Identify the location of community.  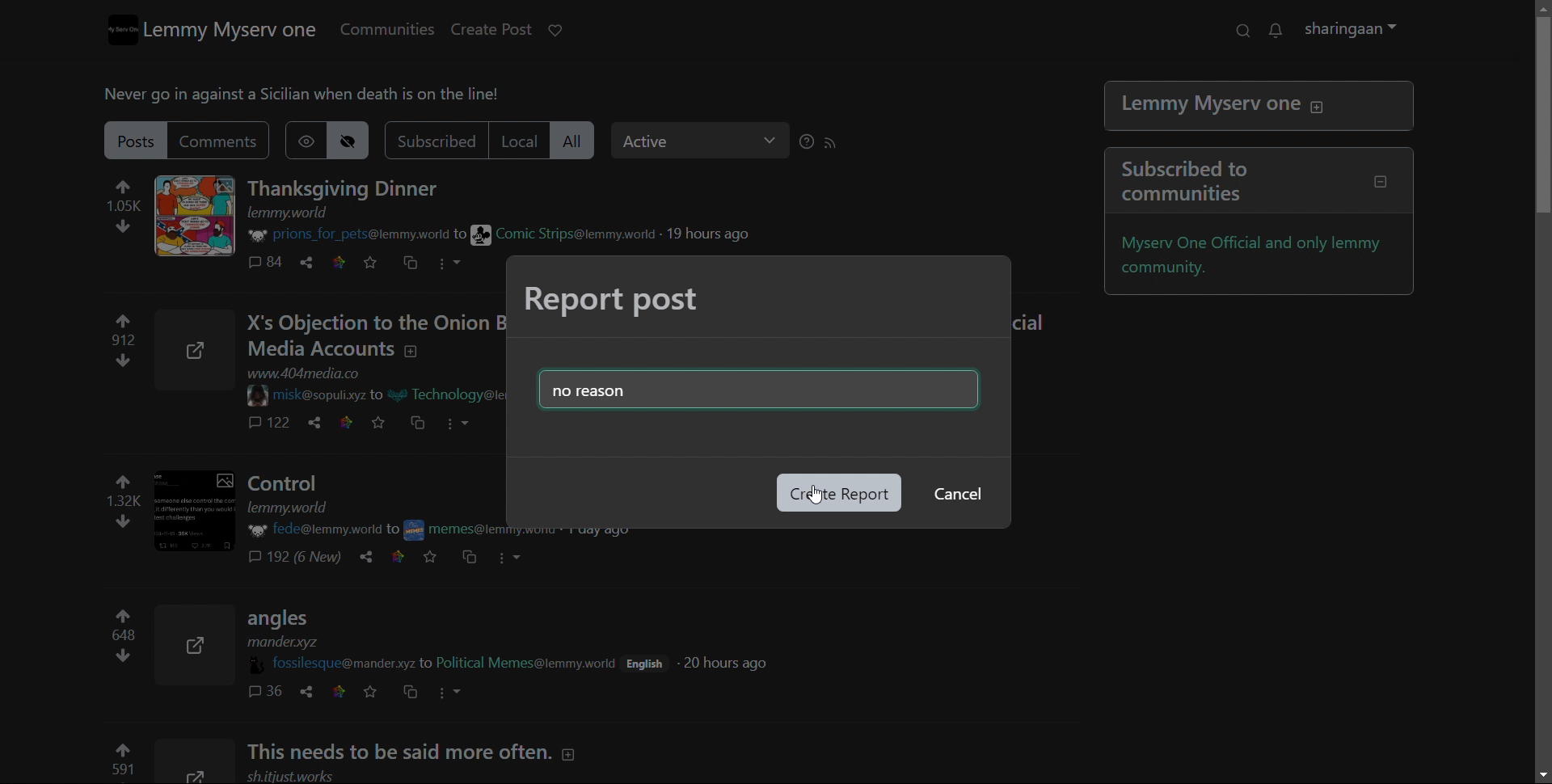
(570, 234).